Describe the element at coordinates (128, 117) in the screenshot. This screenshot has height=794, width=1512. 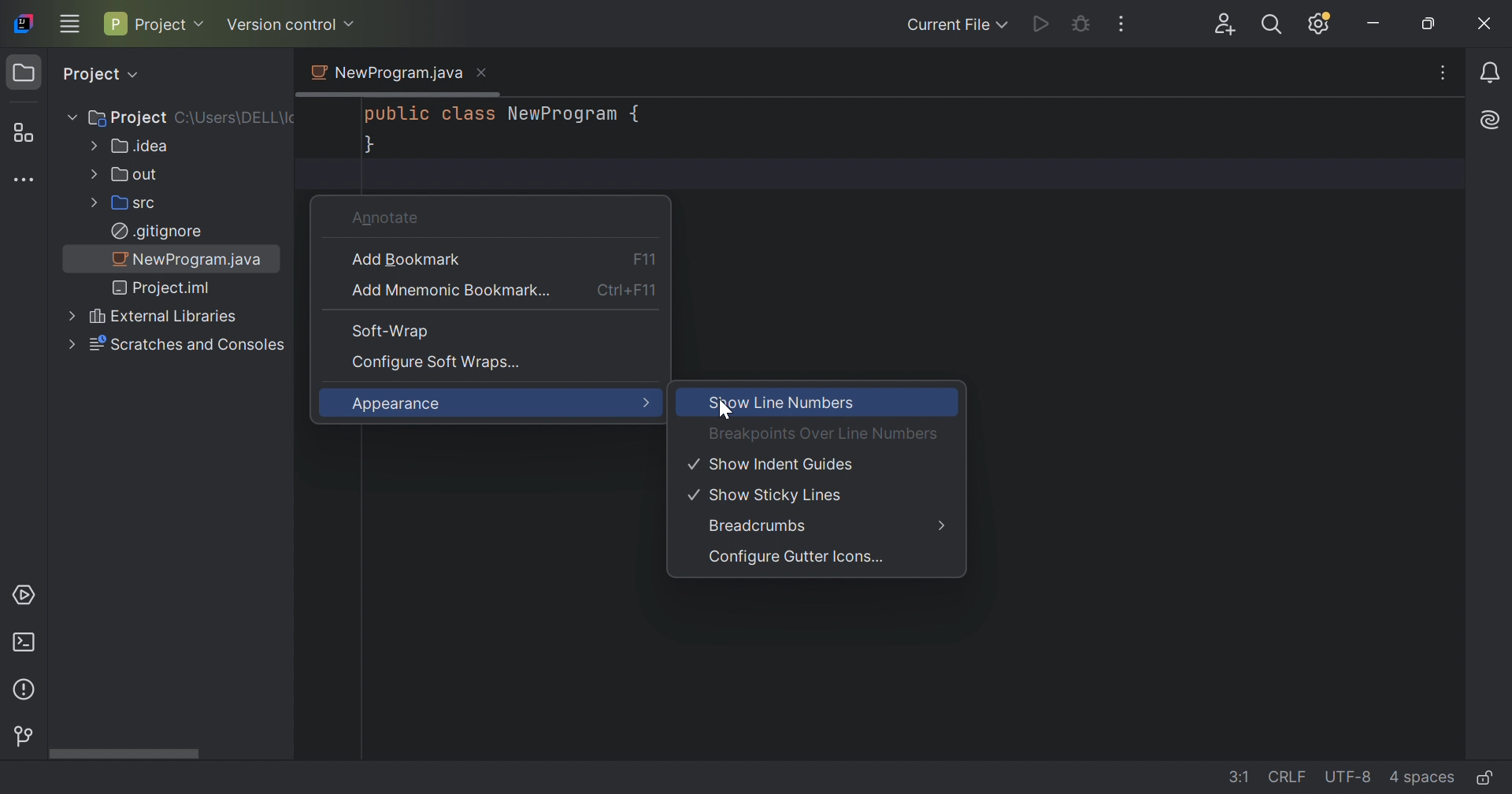
I see `Project` at that location.